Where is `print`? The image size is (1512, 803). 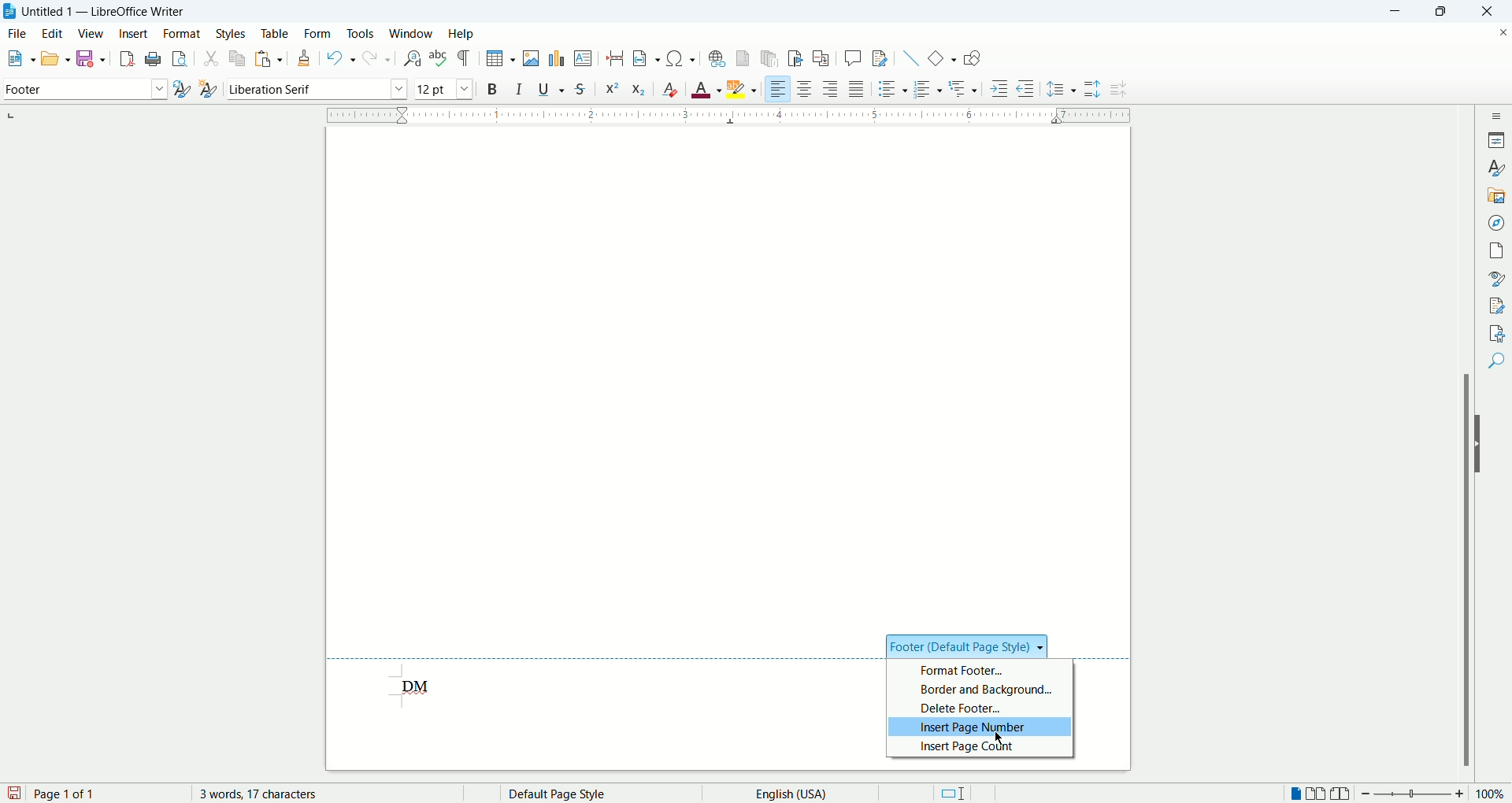 print is located at coordinates (151, 59).